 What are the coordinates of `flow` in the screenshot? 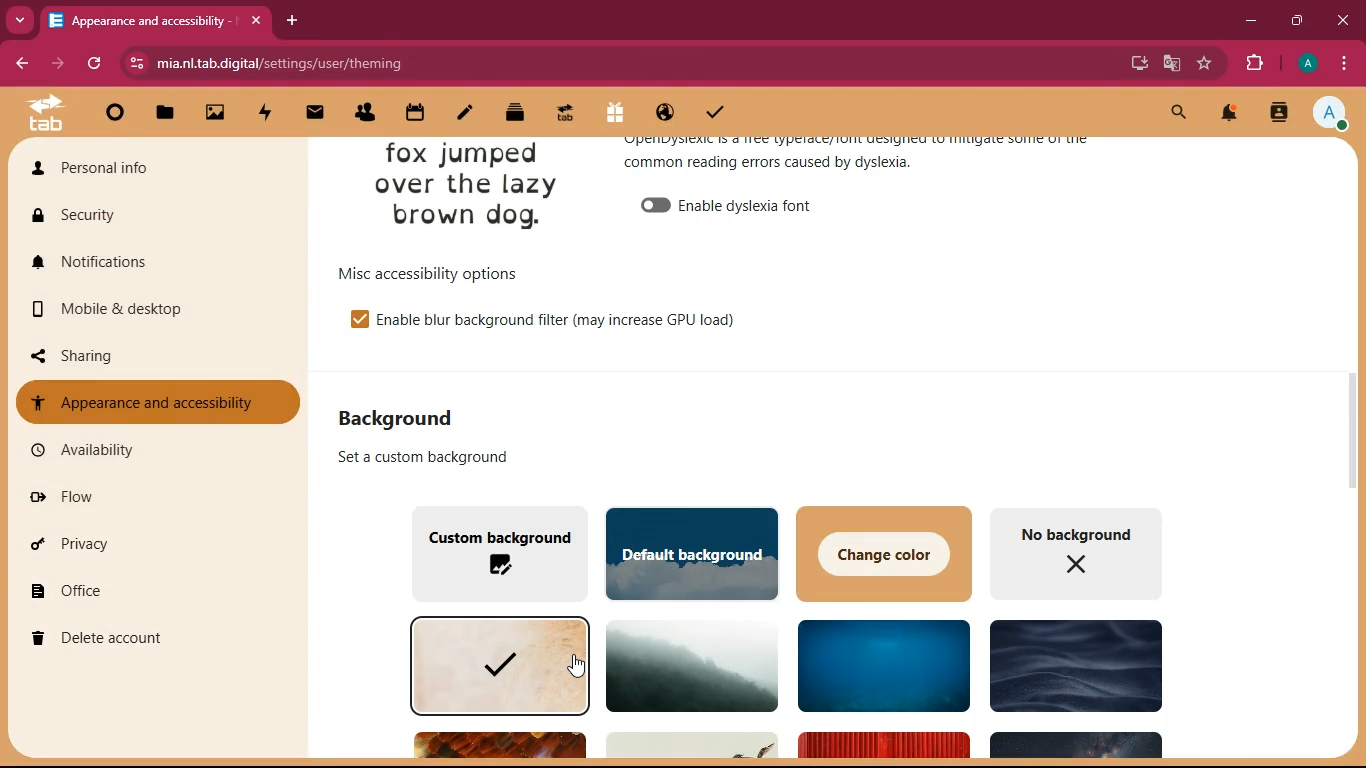 It's located at (154, 502).